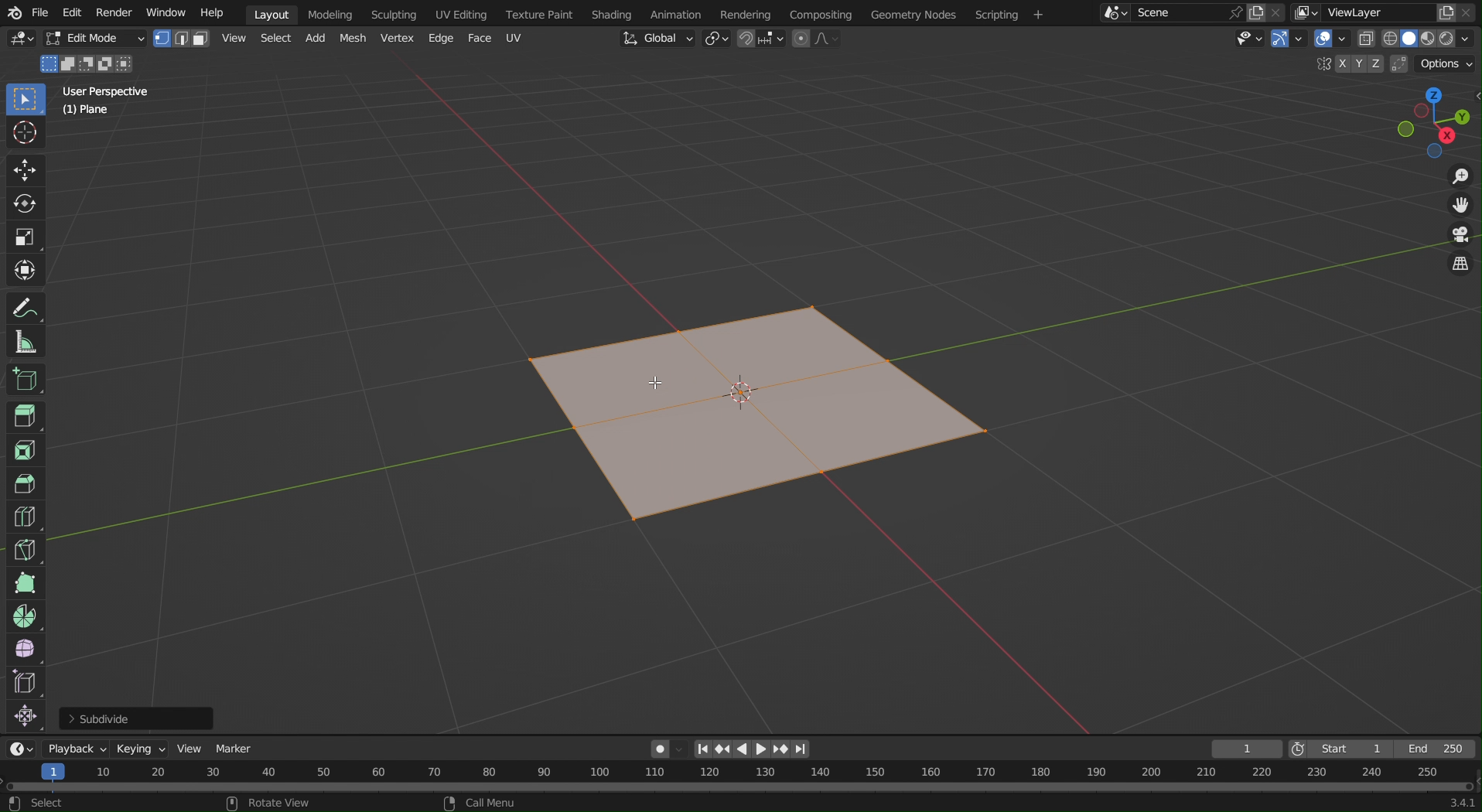 Image resolution: width=1482 pixels, height=812 pixels. What do you see at coordinates (1330, 42) in the screenshot?
I see `Show Overlays` at bounding box center [1330, 42].